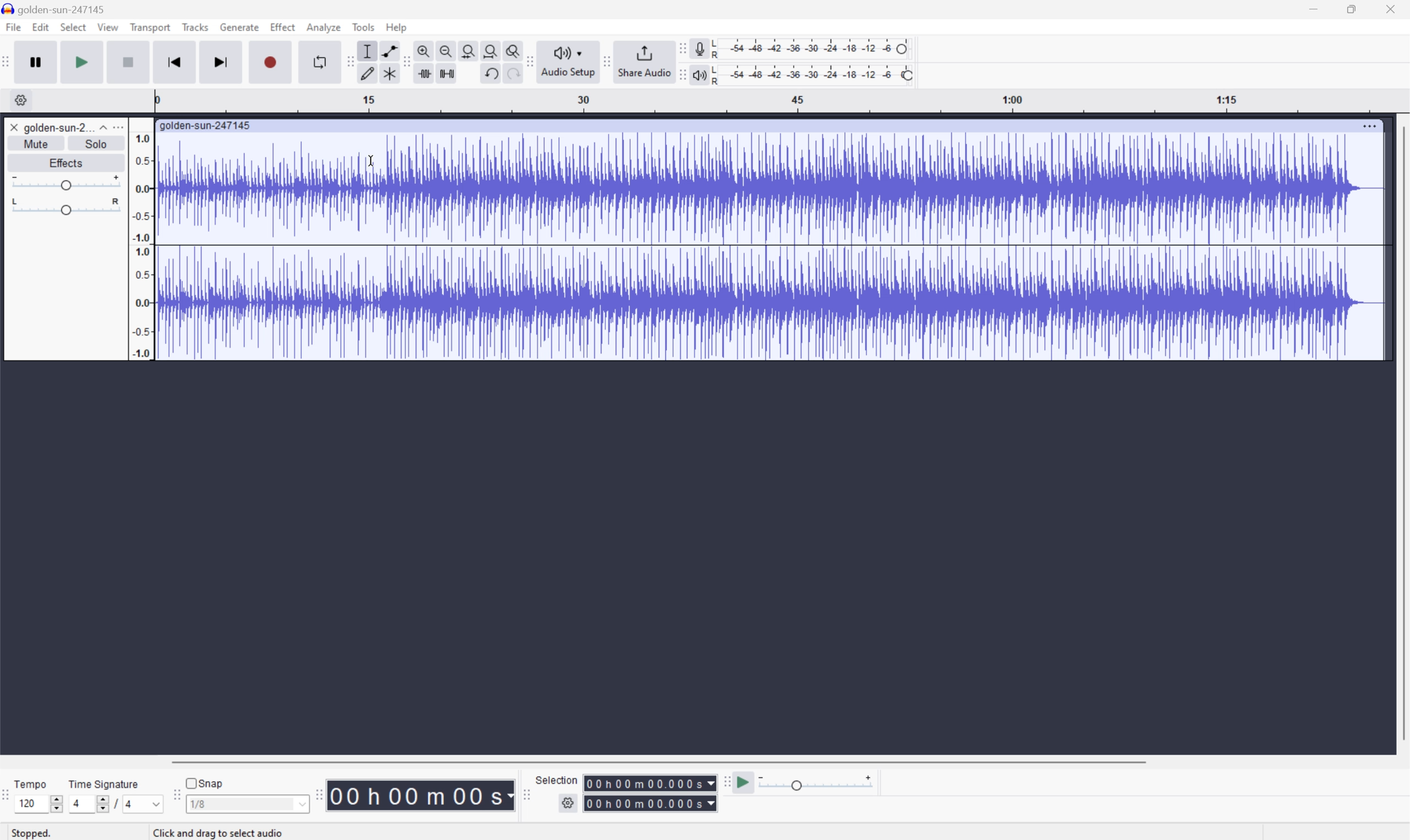 The width and height of the screenshot is (1410, 840). What do you see at coordinates (204, 781) in the screenshot?
I see `Snap` at bounding box center [204, 781].